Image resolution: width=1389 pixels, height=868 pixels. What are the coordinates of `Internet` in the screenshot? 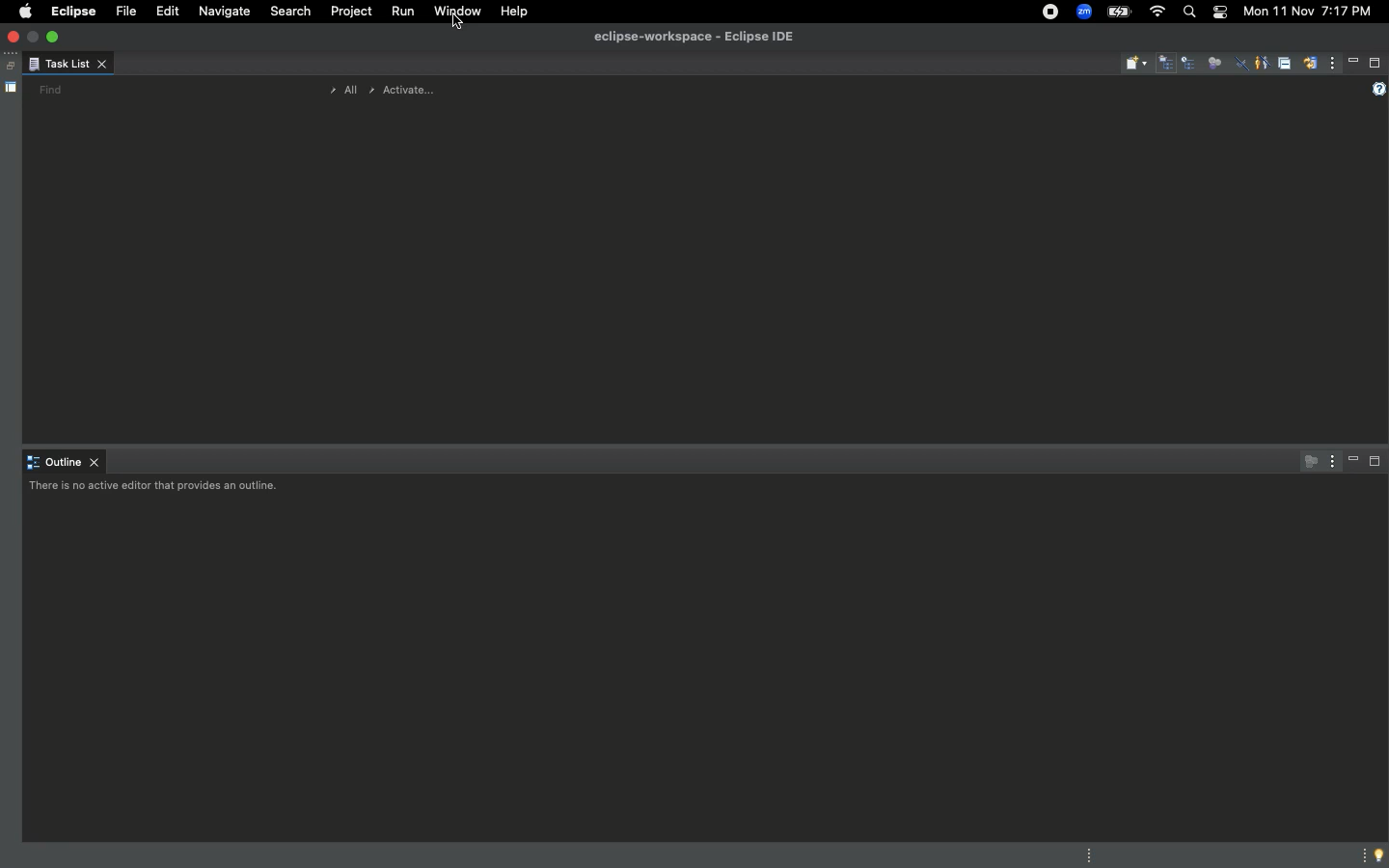 It's located at (1156, 12).